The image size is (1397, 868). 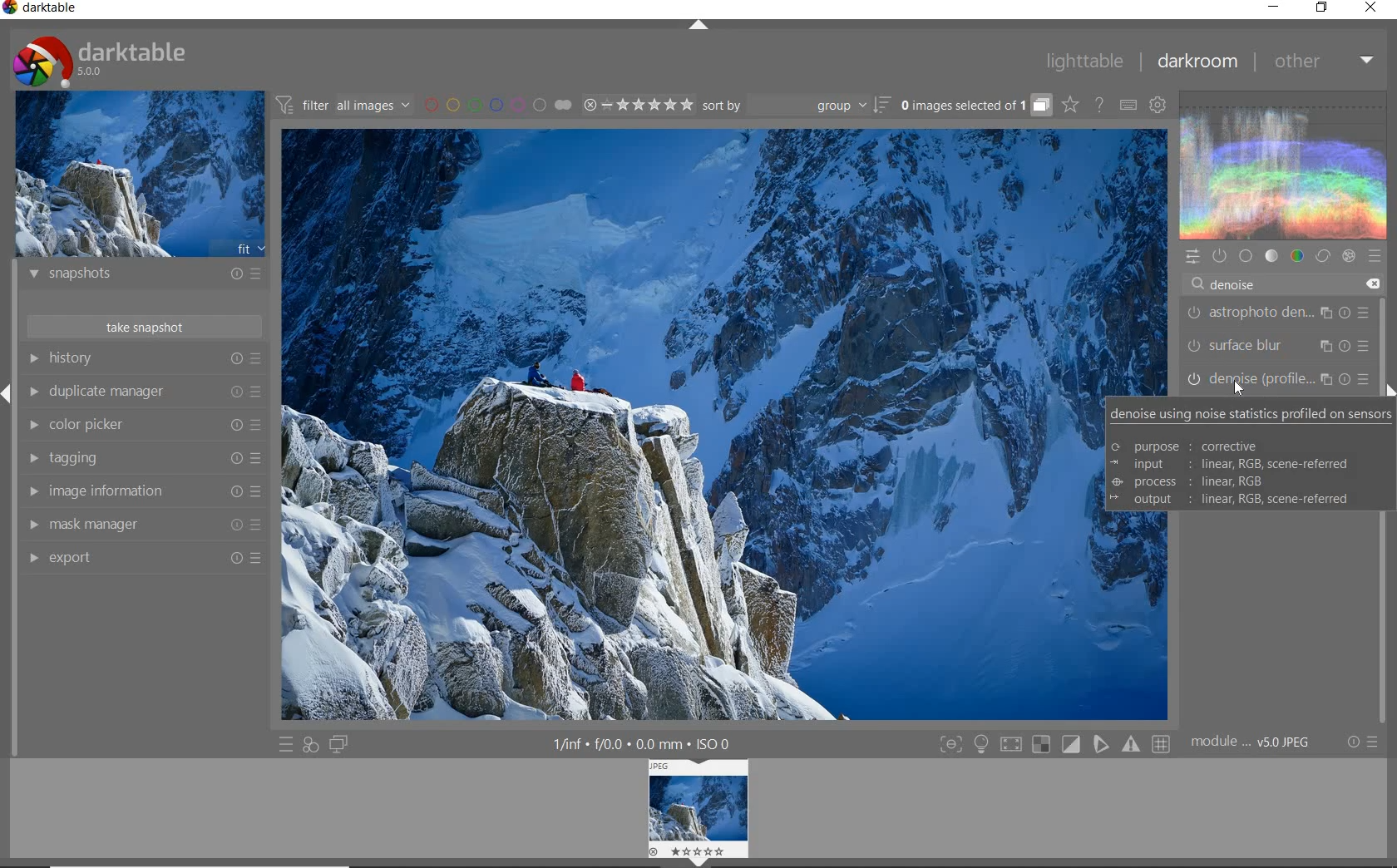 I want to click on base, so click(x=1246, y=255).